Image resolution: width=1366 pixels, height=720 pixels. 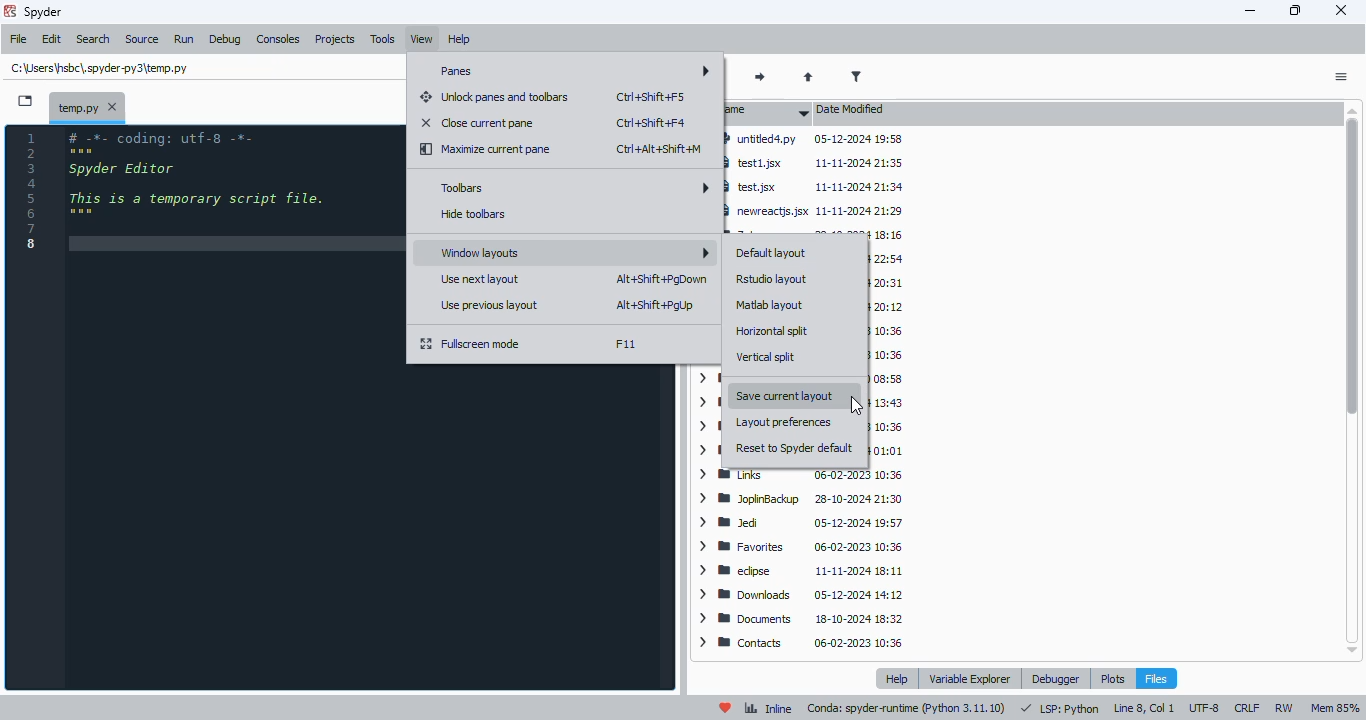 I want to click on Searches, so click(x=884, y=331).